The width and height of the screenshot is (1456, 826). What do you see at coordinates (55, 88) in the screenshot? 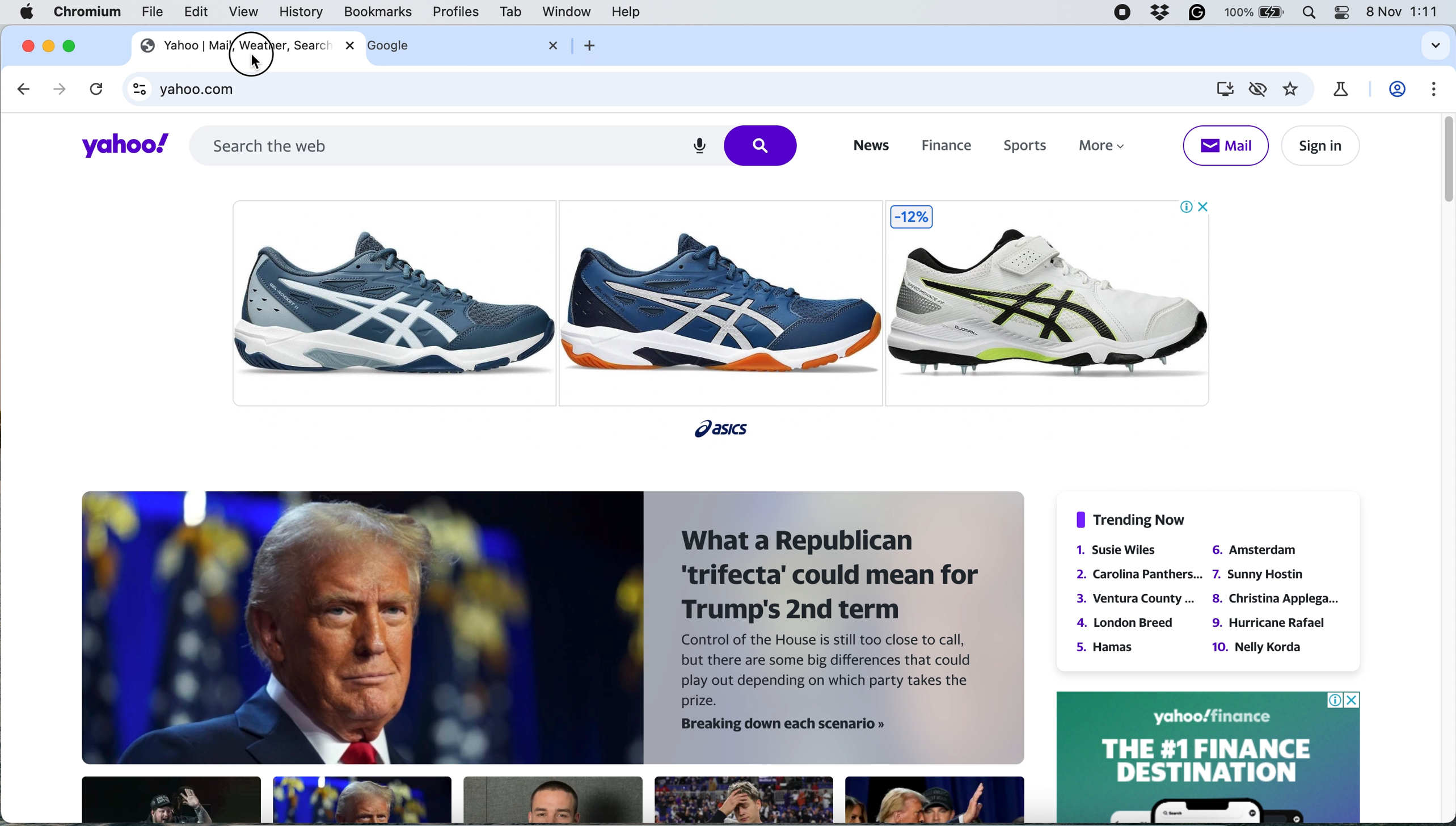
I see `go forward` at bounding box center [55, 88].